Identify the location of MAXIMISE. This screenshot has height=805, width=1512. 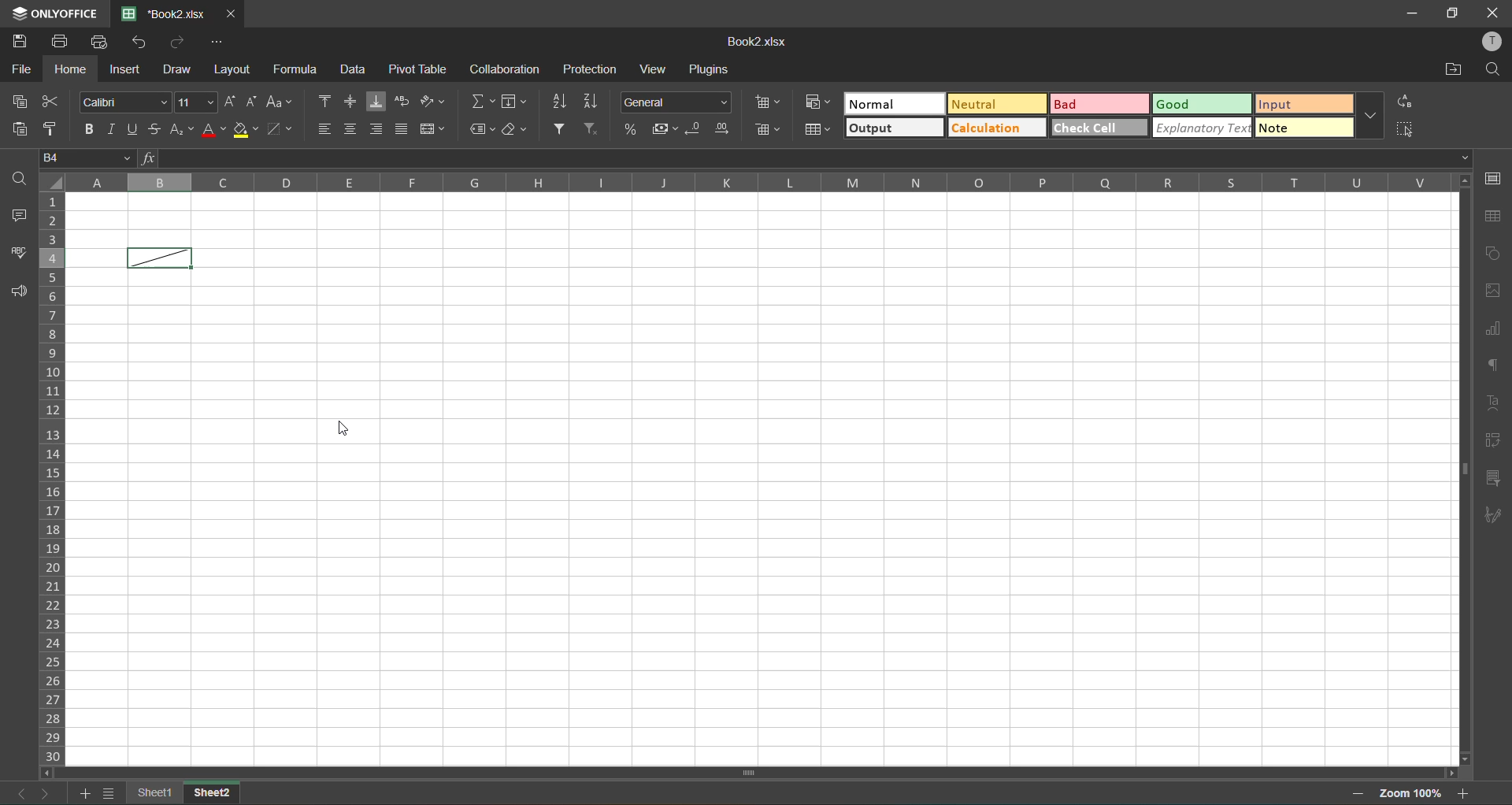
(1454, 15).